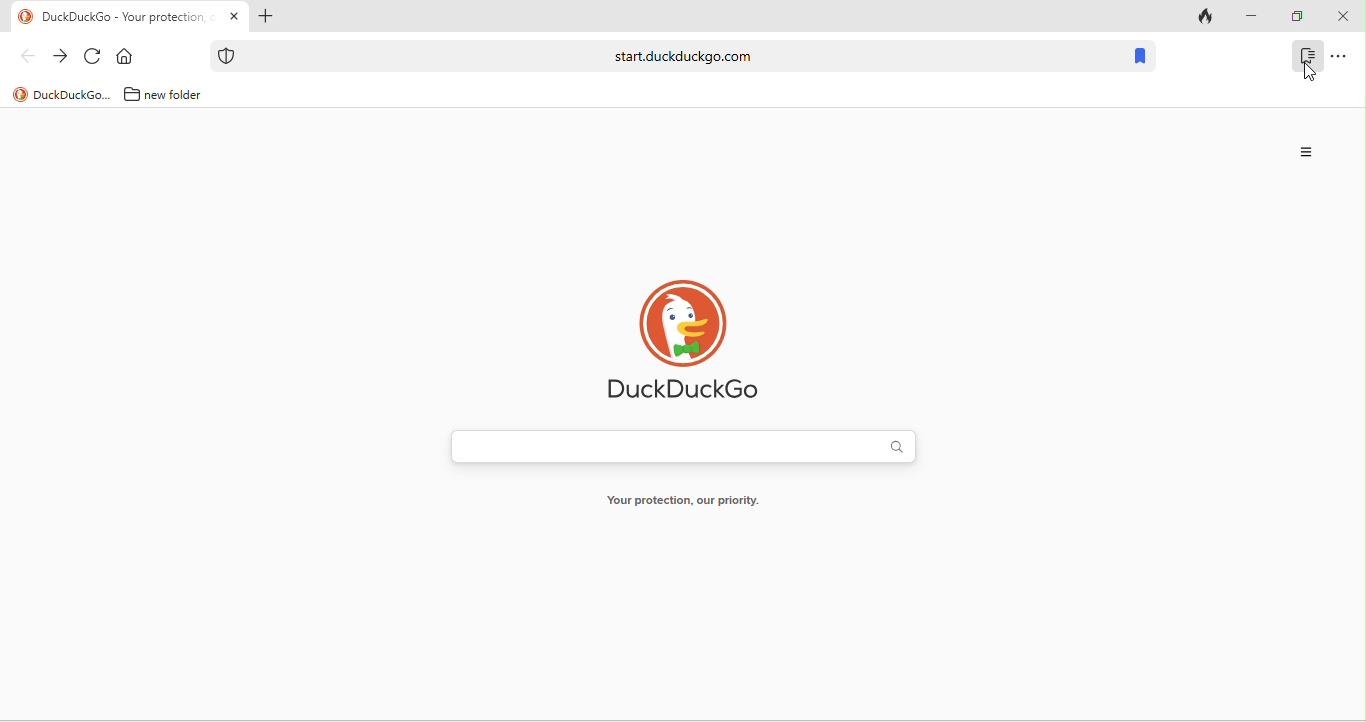  Describe the element at coordinates (682, 504) in the screenshot. I see `Your protection, our priority.` at that location.